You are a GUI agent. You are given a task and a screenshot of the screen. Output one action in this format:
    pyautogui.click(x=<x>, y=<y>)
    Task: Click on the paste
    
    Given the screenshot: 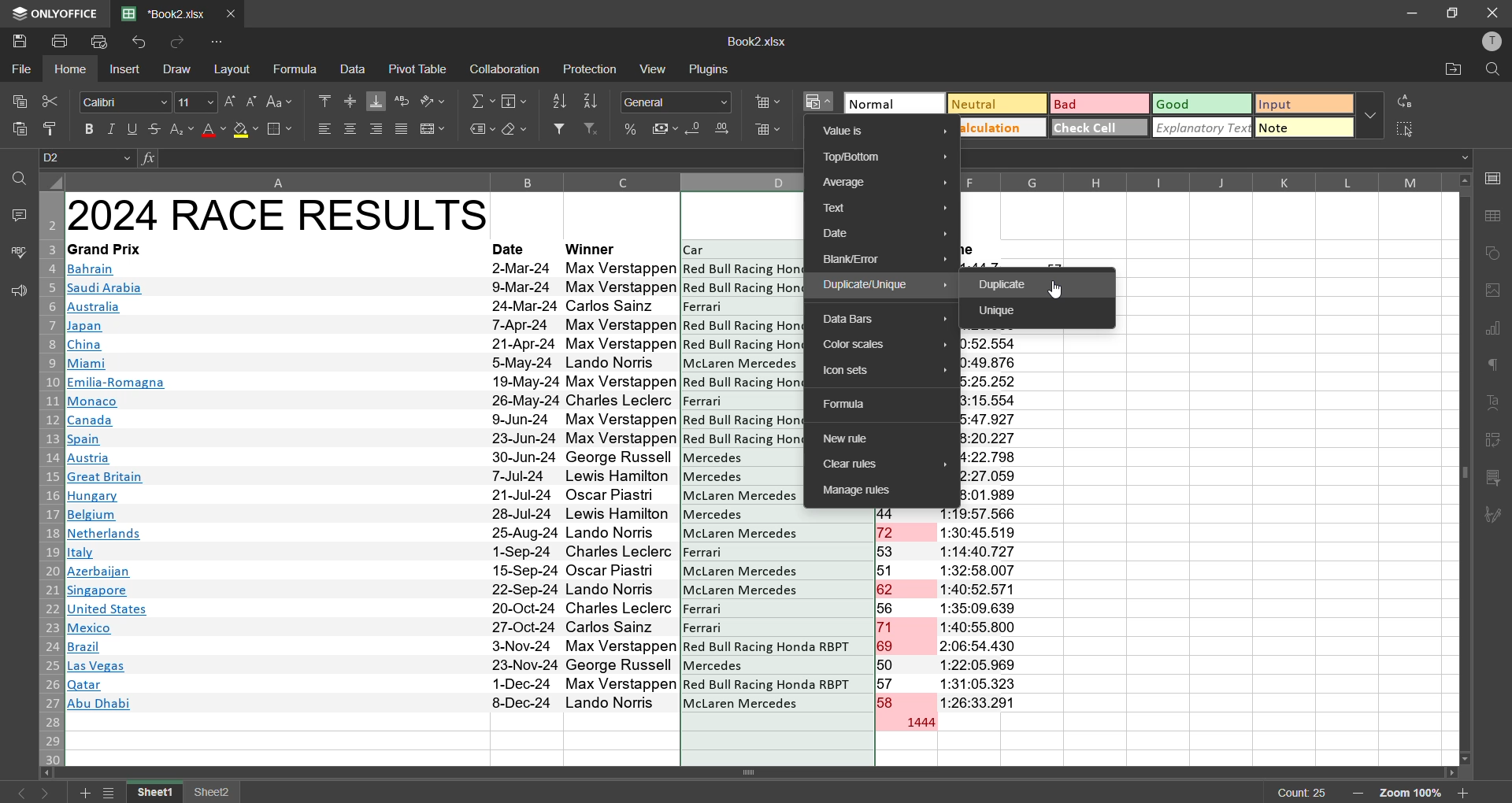 What is the action you would take?
    pyautogui.click(x=20, y=132)
    